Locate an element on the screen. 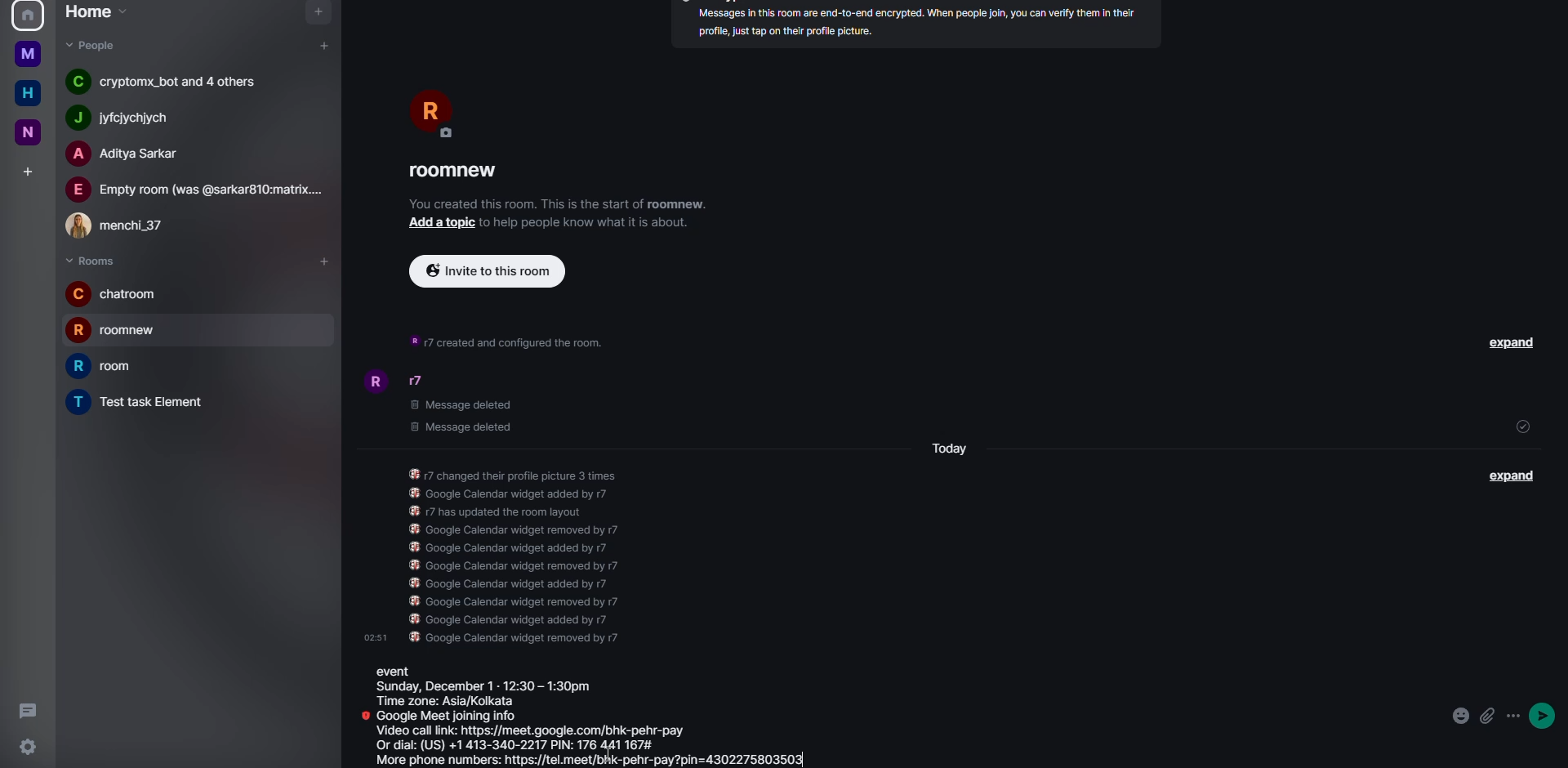  add is located at coordinates (325, 45).